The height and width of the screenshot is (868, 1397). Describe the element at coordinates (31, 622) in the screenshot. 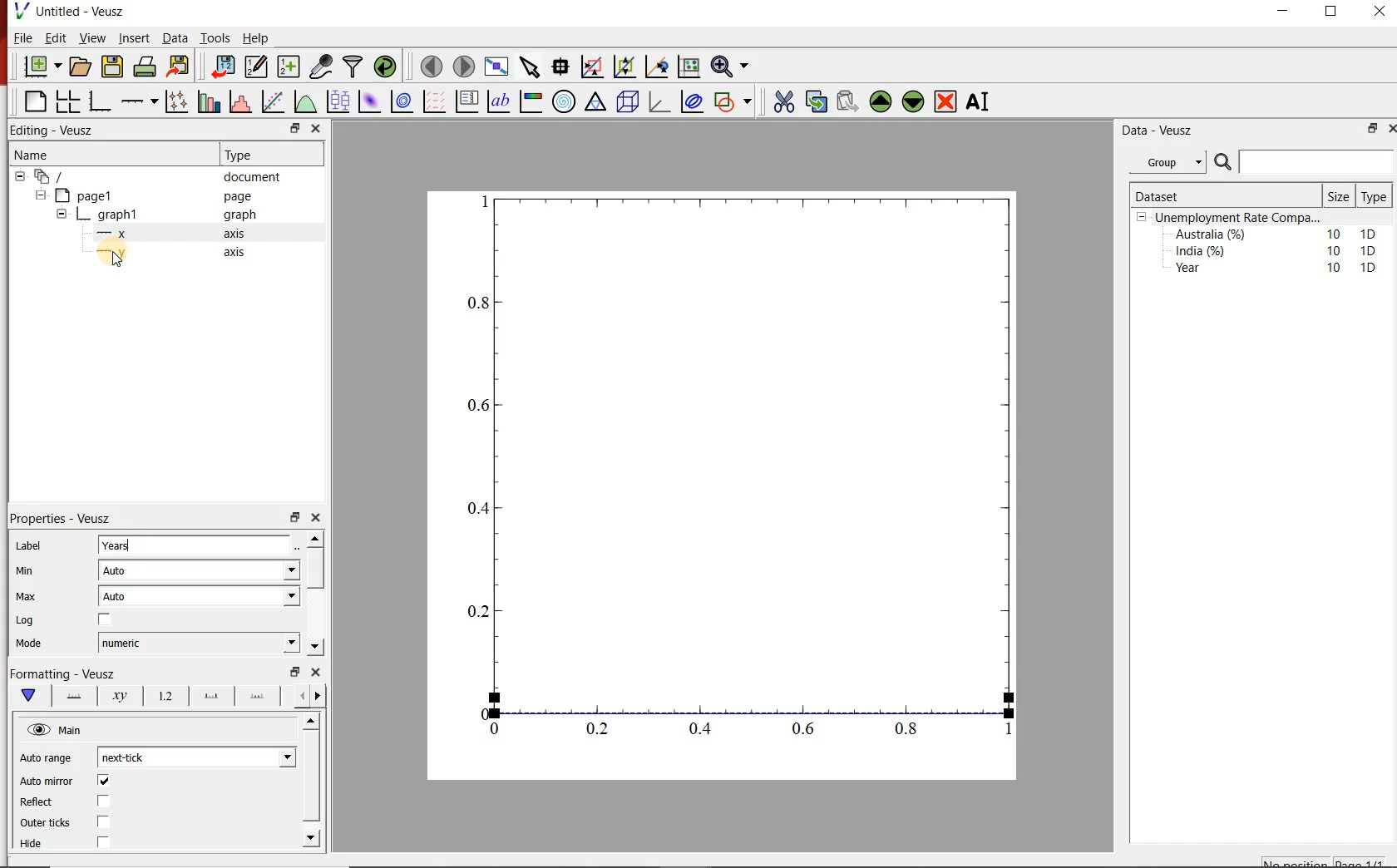

I see `Log` at that location.